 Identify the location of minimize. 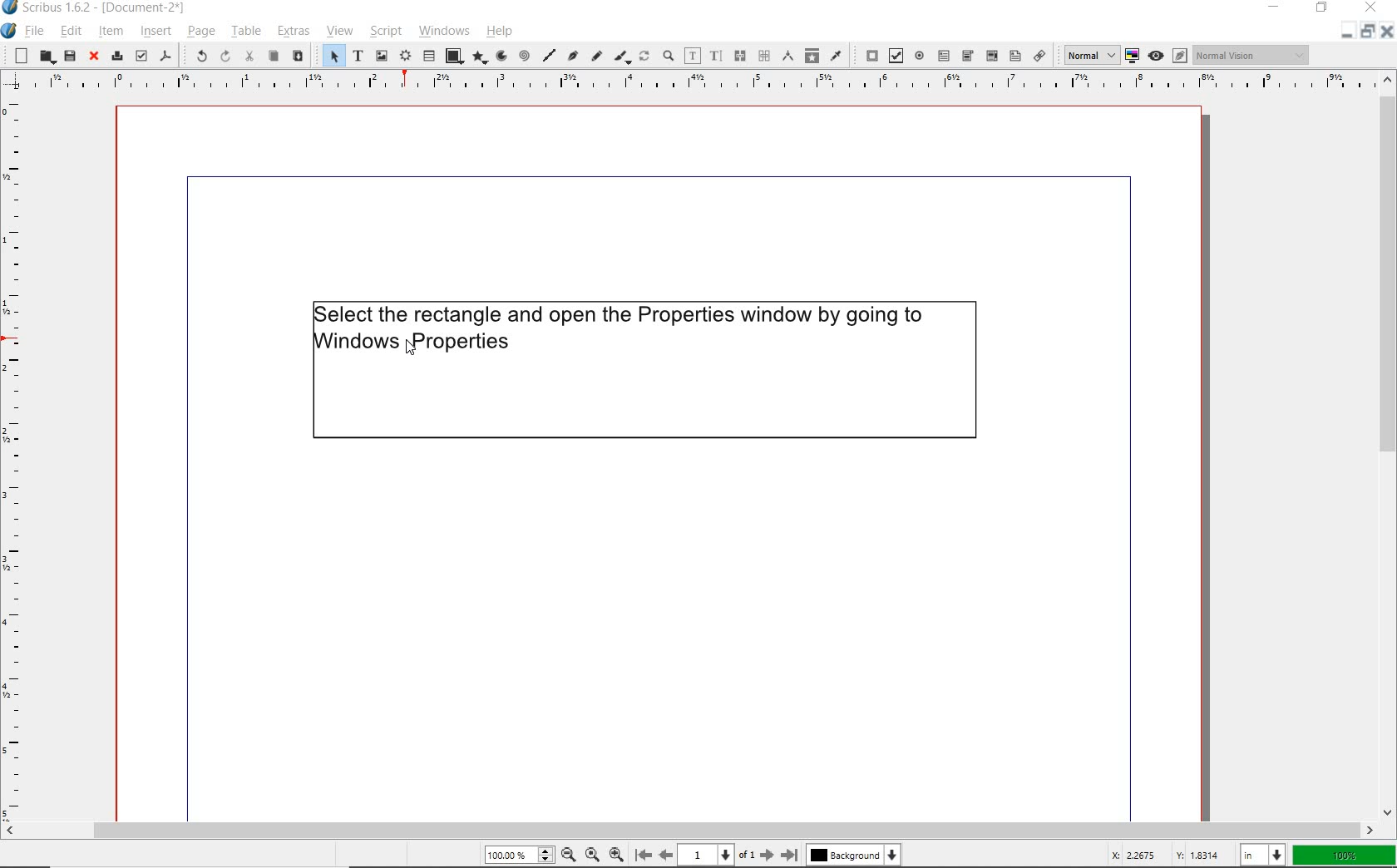
(1276, 6).